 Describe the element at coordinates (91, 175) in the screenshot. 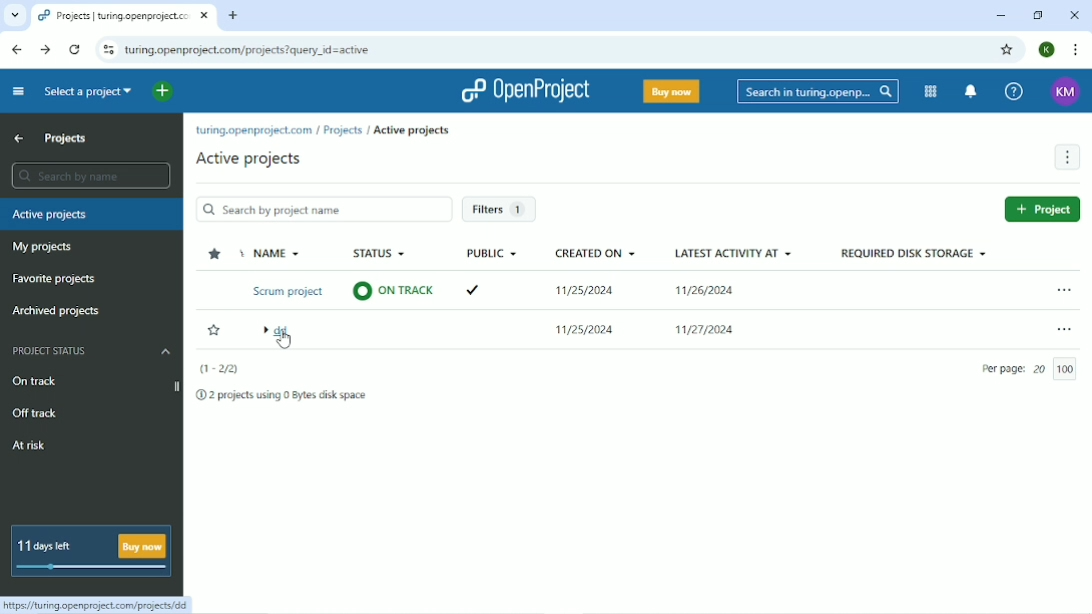

I see `Search by name` at that location.